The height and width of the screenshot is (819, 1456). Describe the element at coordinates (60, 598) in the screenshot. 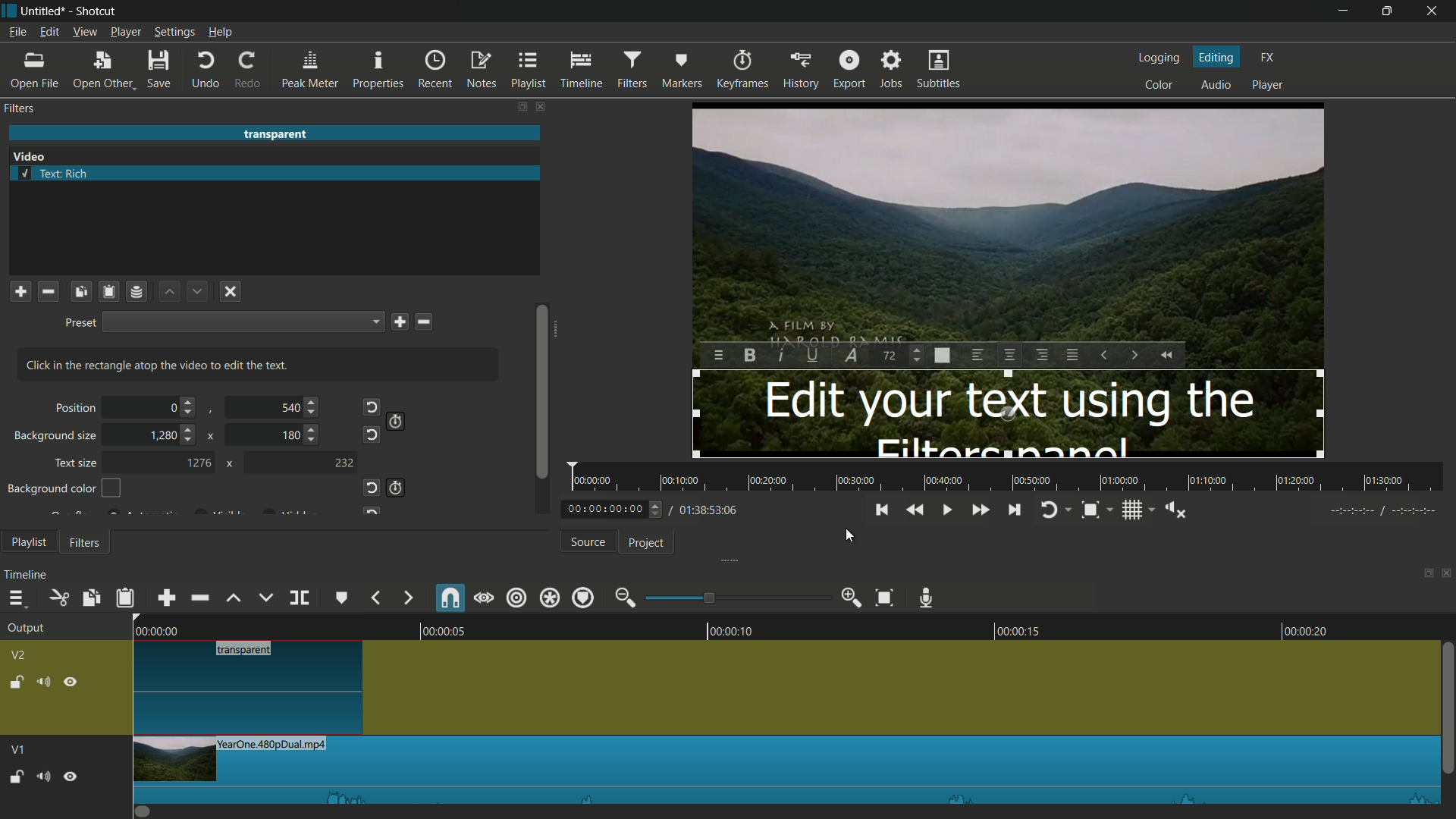

I see `cut` at that location.